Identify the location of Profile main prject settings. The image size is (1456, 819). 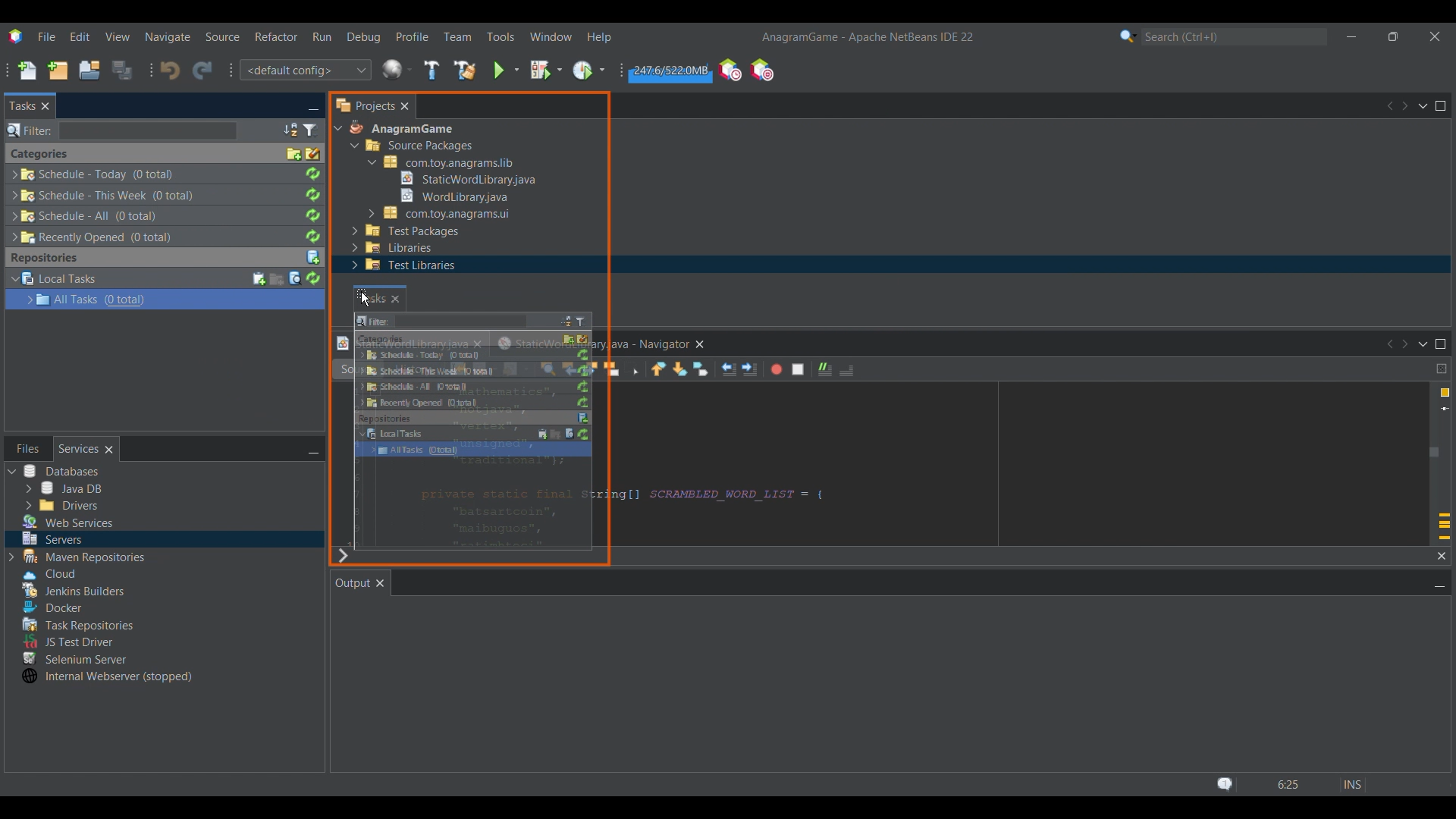
(590, 70).